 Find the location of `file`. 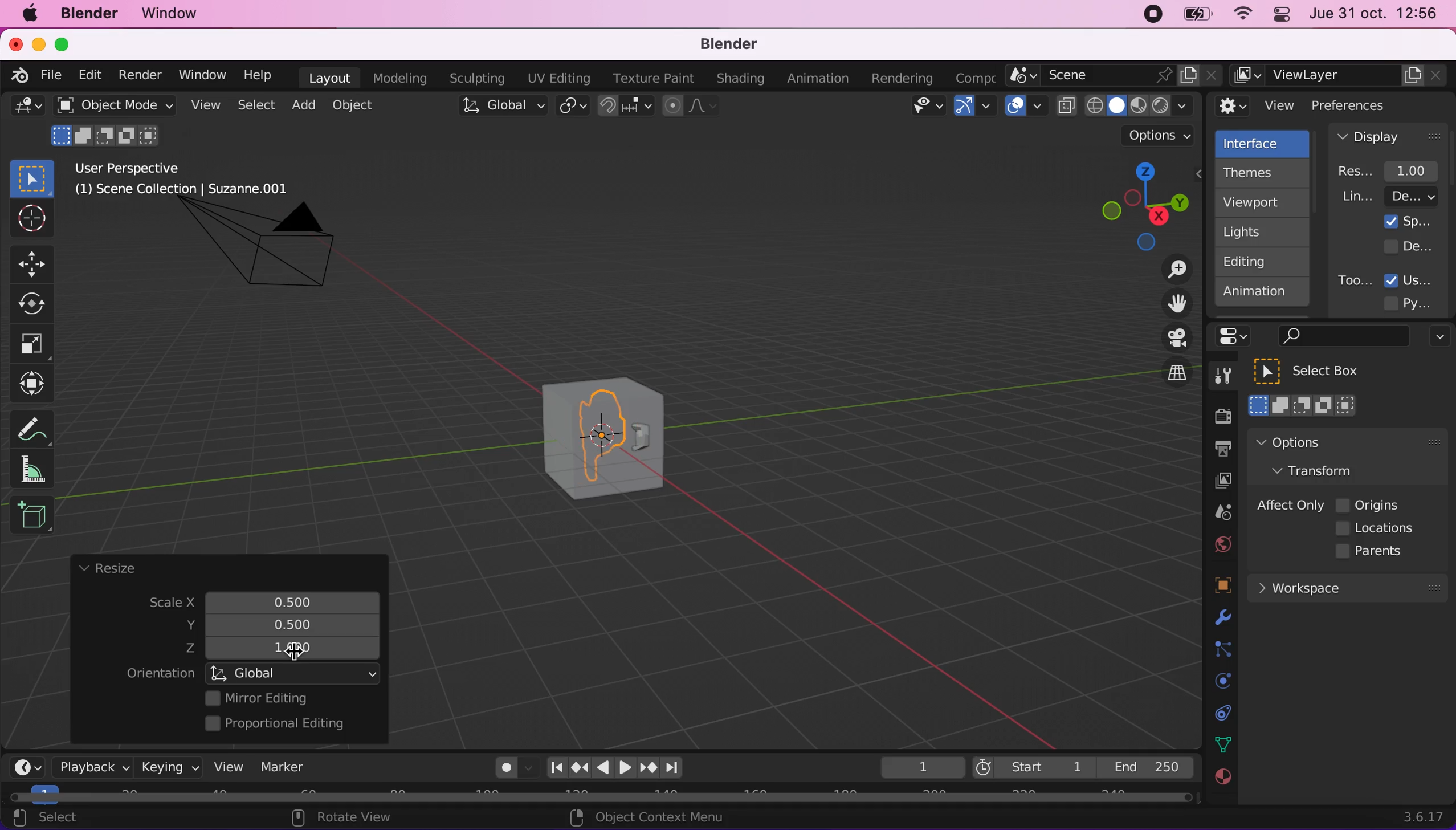

file is located at coordinates (49, 75).